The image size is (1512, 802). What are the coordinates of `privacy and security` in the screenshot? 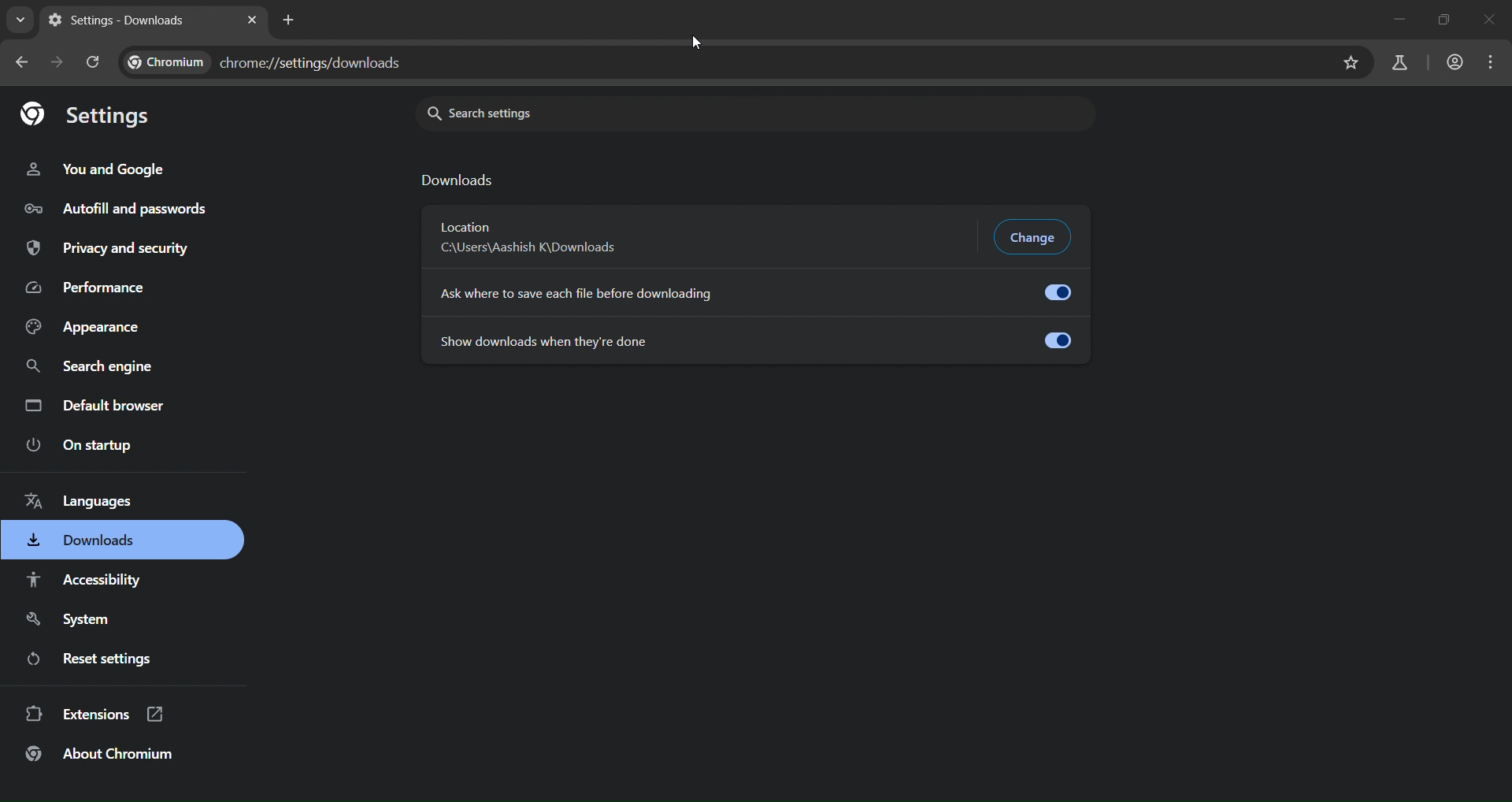 It's located at (112, 249).